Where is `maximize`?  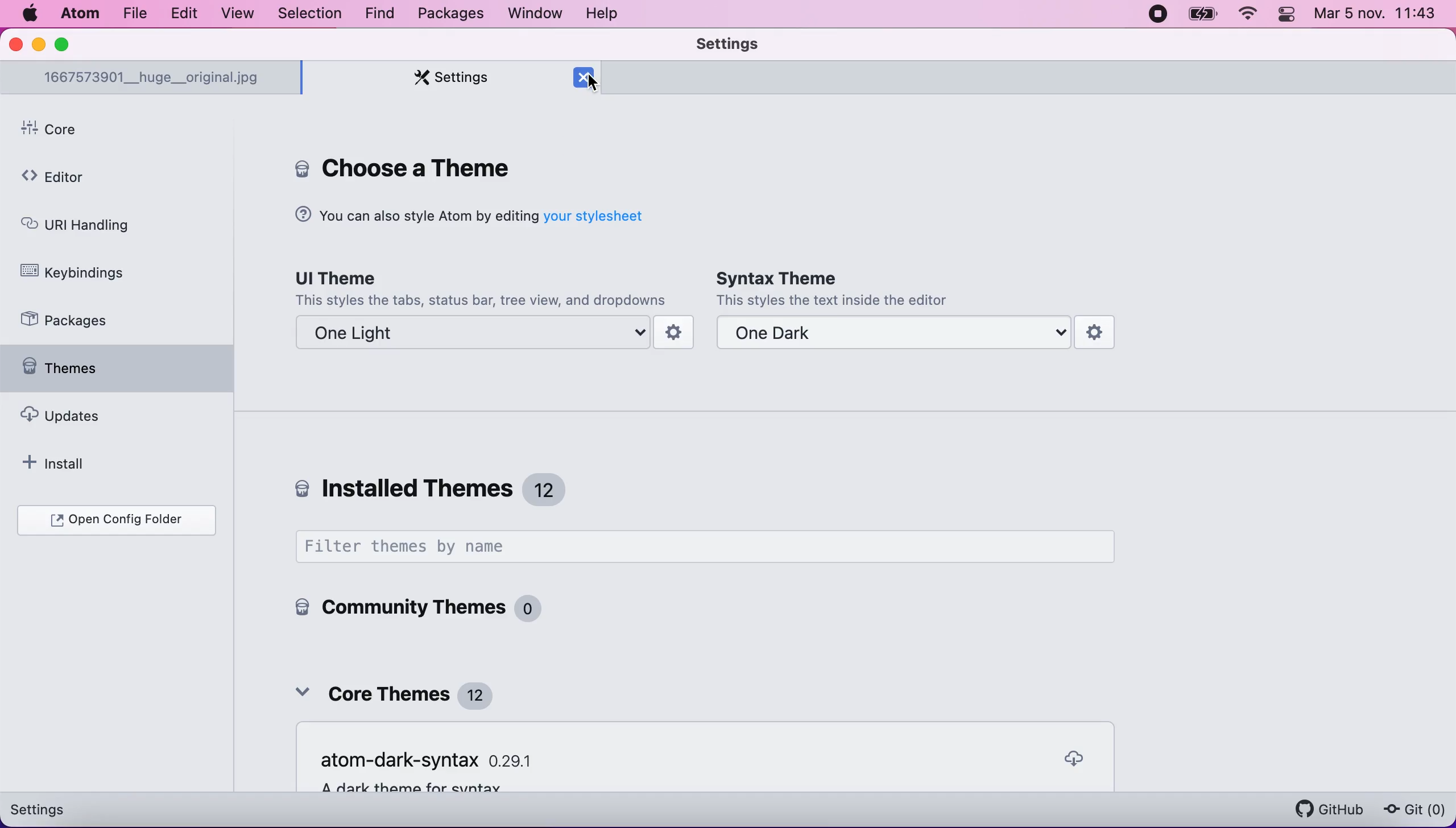 maximize is located at coordinates (73, 45).